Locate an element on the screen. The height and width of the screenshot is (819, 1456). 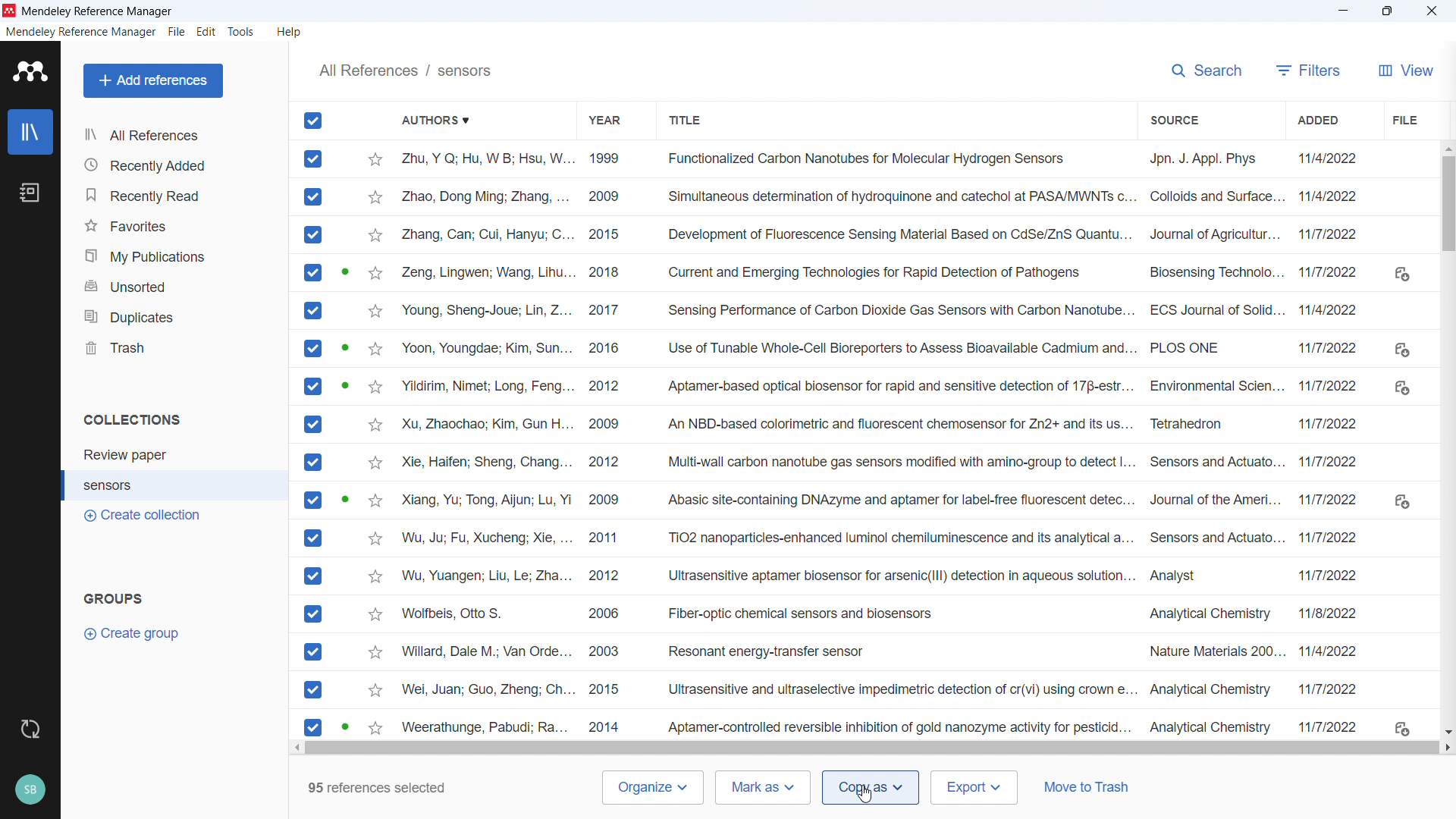
Move to trash  is located at coordinates (1091, 786).